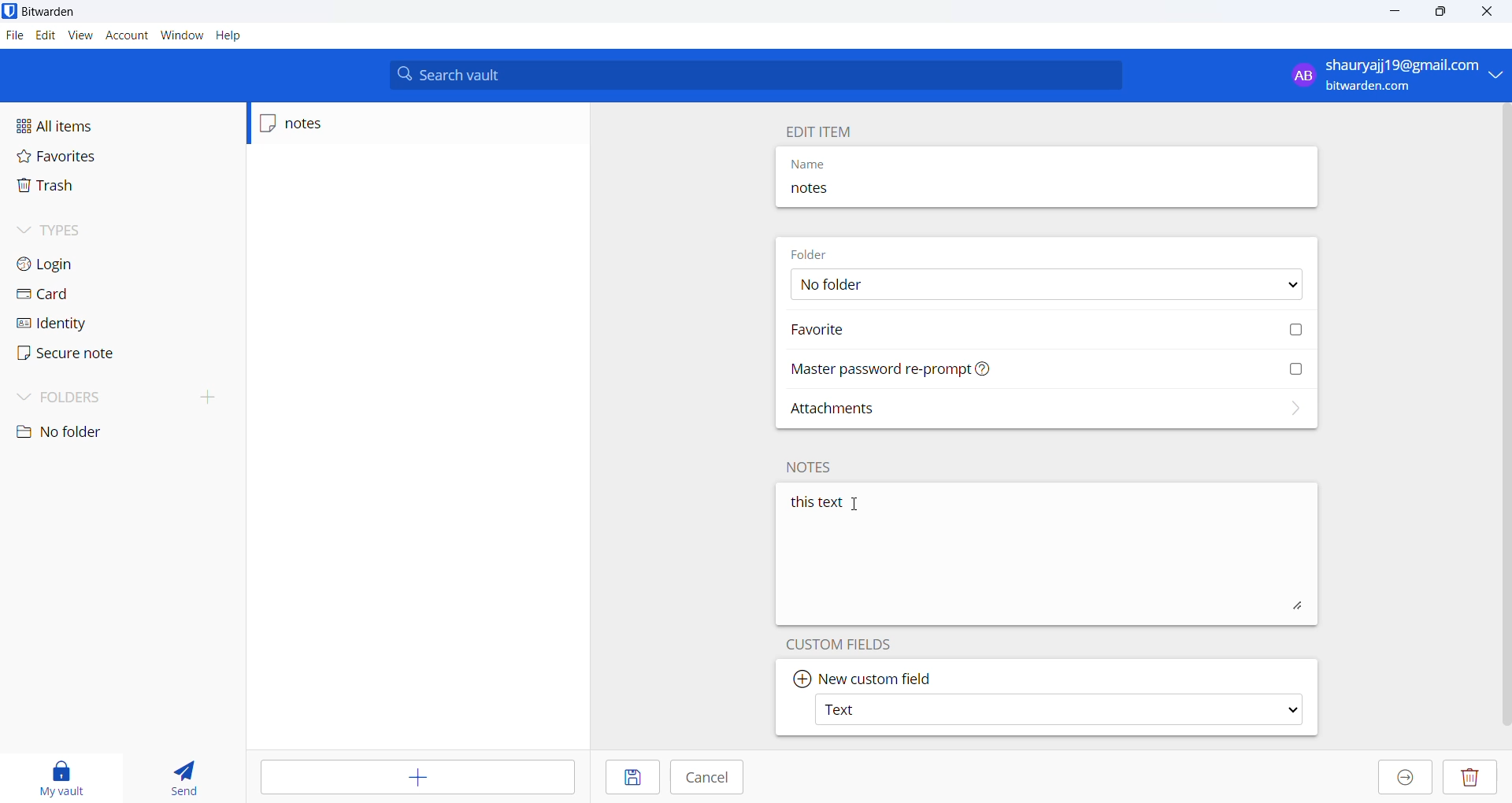 This screenshot has height=803, width=1512. Describe the element at coordinates (1062, 712) in the screenshot. I see `Text` at that location.